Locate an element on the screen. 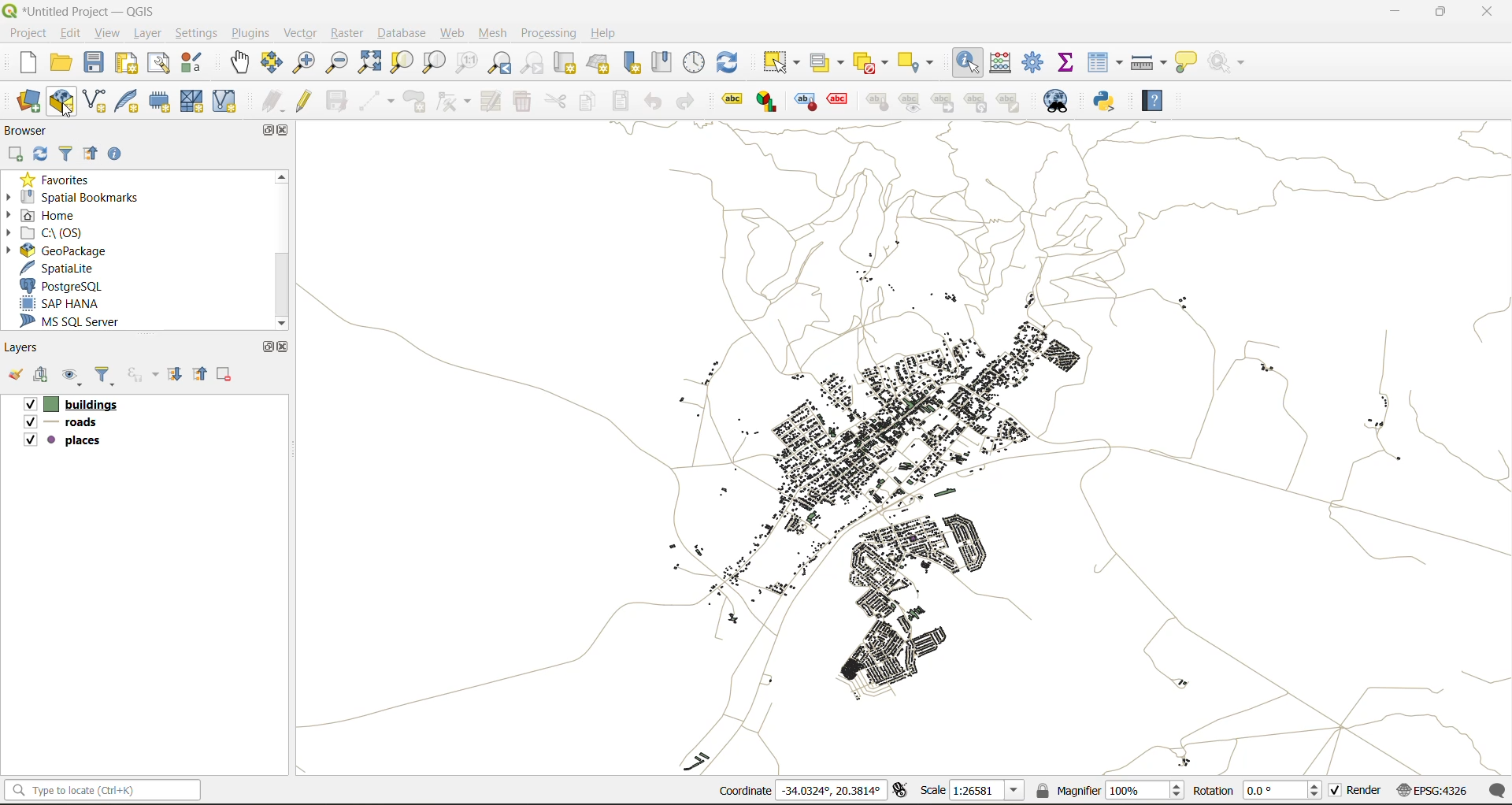  buildings is located at coordinates (69, 406).